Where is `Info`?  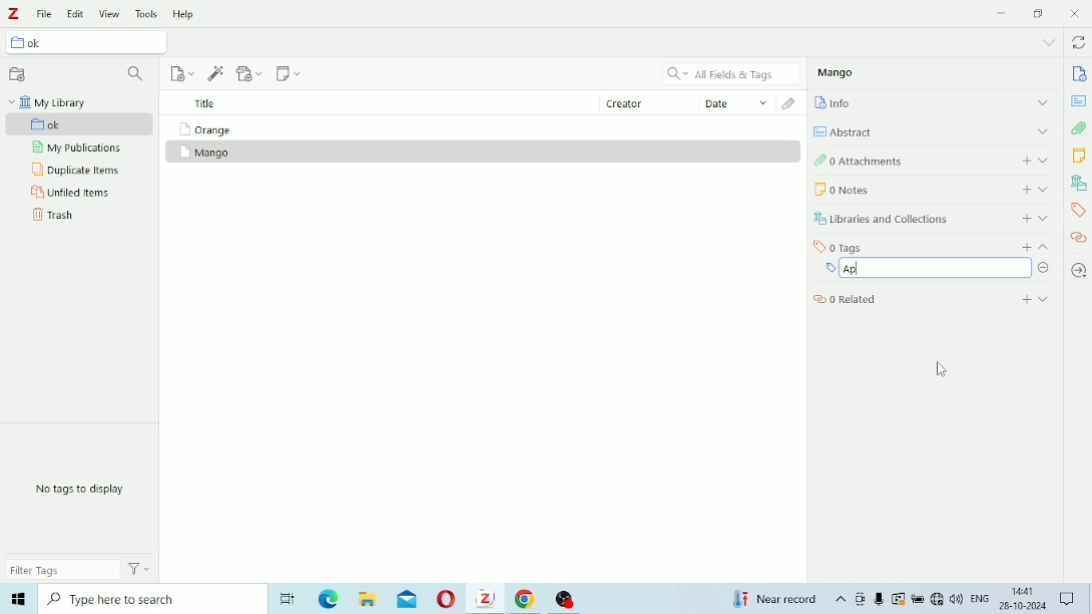 Info is located at coordinates (933, 101).